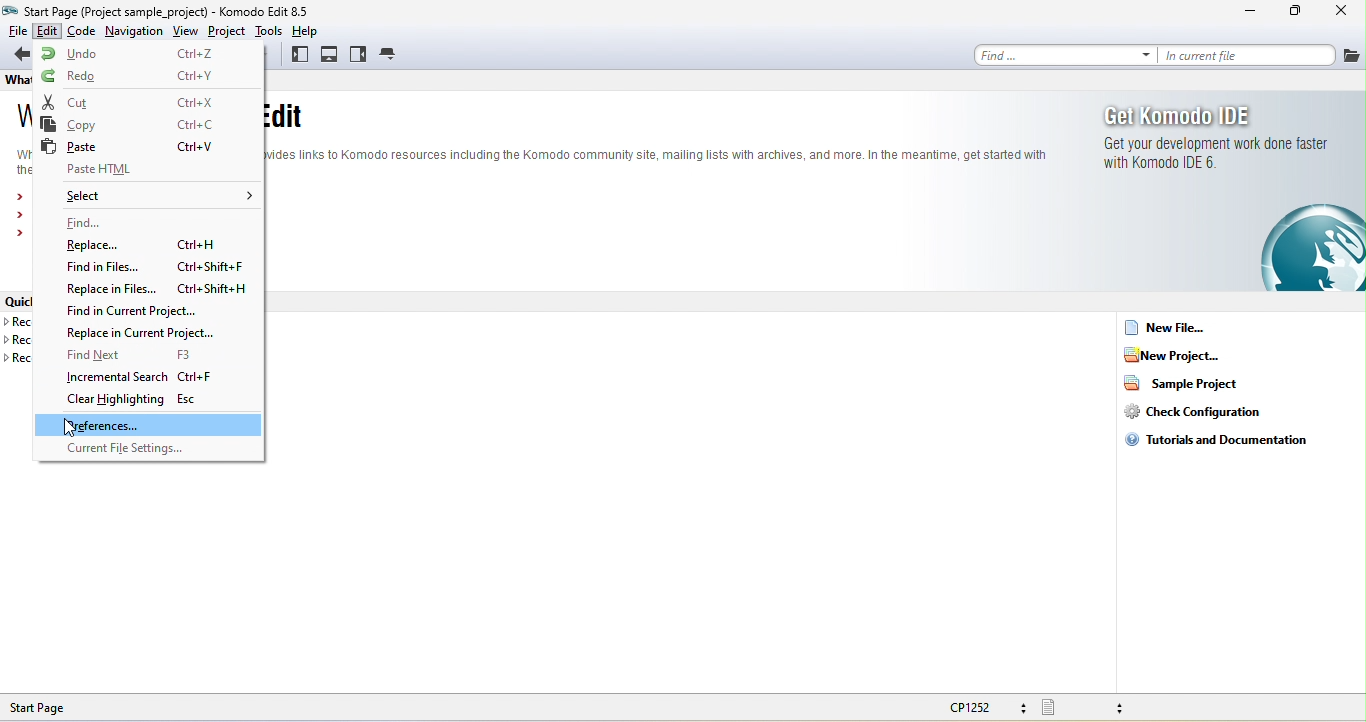  I want to click on check configuration, so click(1206, 411).